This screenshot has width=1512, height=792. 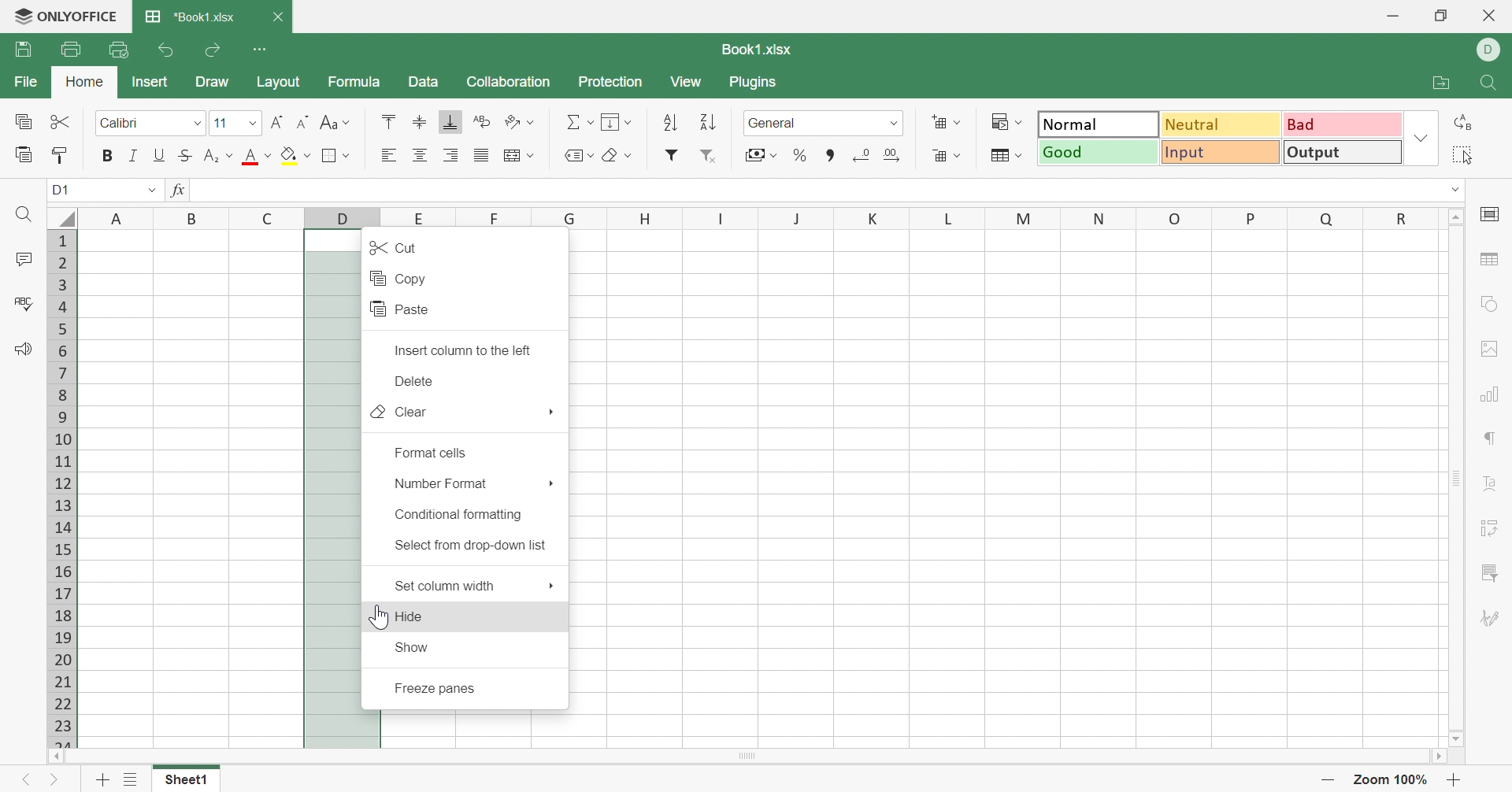 What do you see at coordinates (393, 246) in the screenshot?
I see `Cut` at bounding box center [393, 246].